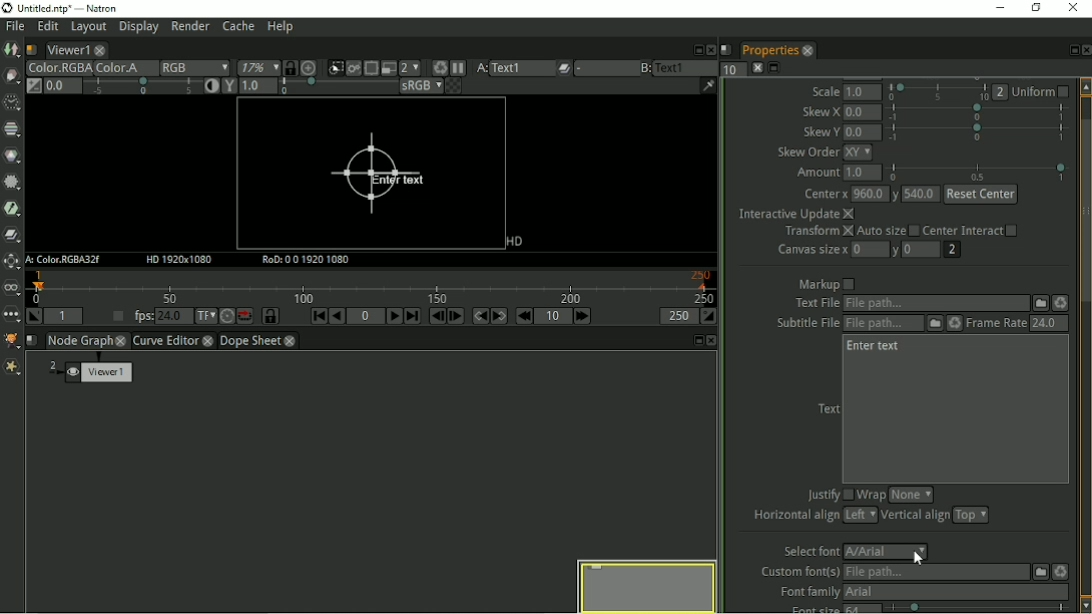  What do you see at coordinates (61, 85) in the screenshot?
I see `Gain` at bounding box center [61, 85].